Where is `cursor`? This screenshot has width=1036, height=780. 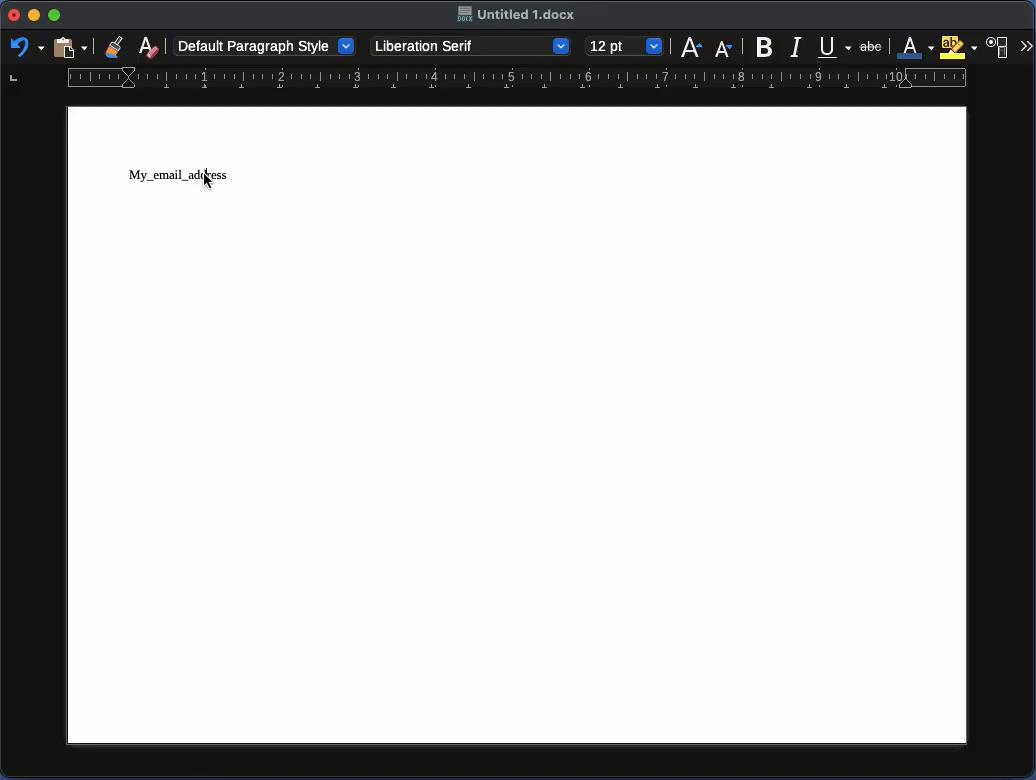
cursor is located at coordinates (207, 182).